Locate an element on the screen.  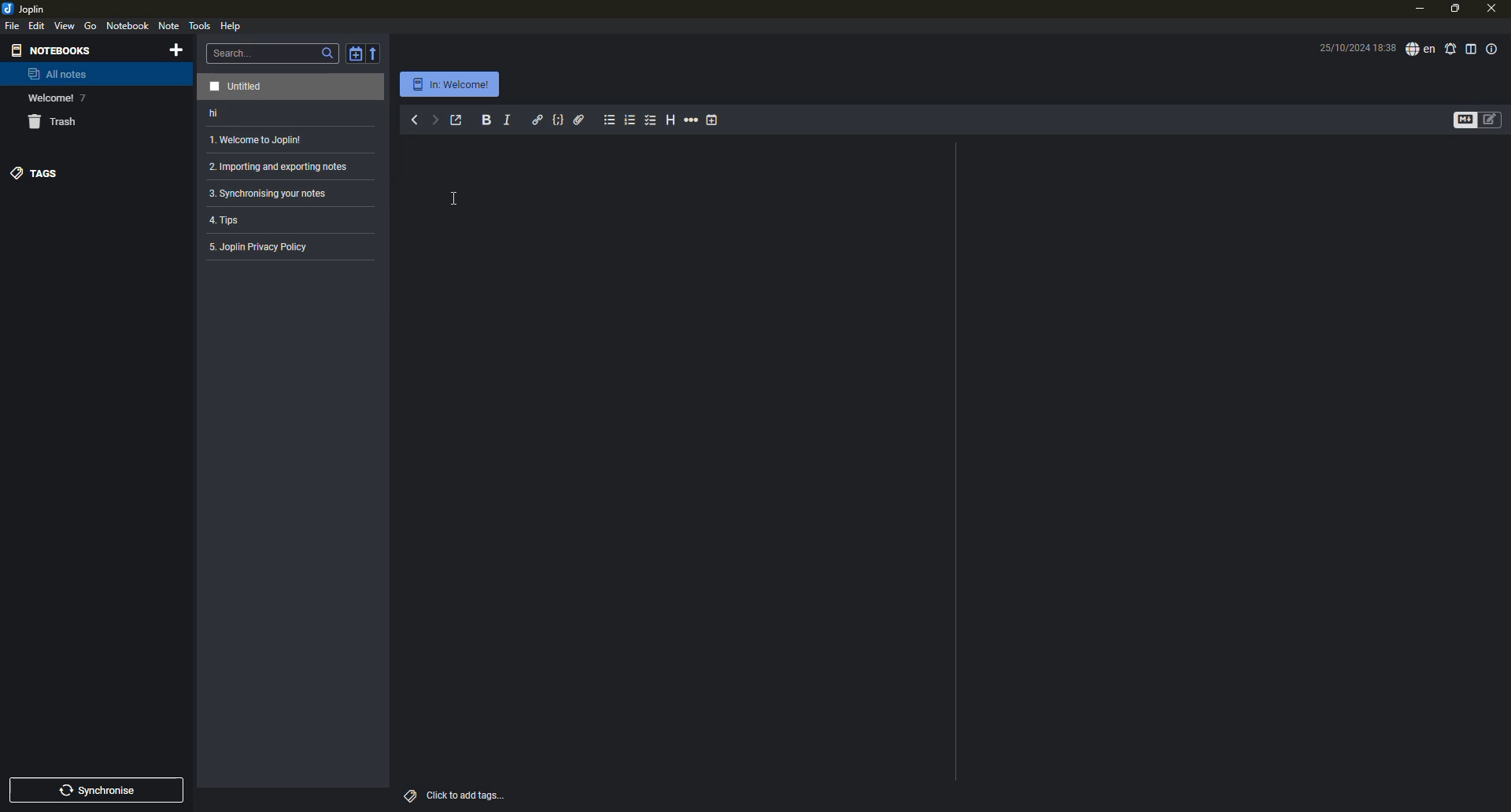
forward is located at coordinates (434, 118).